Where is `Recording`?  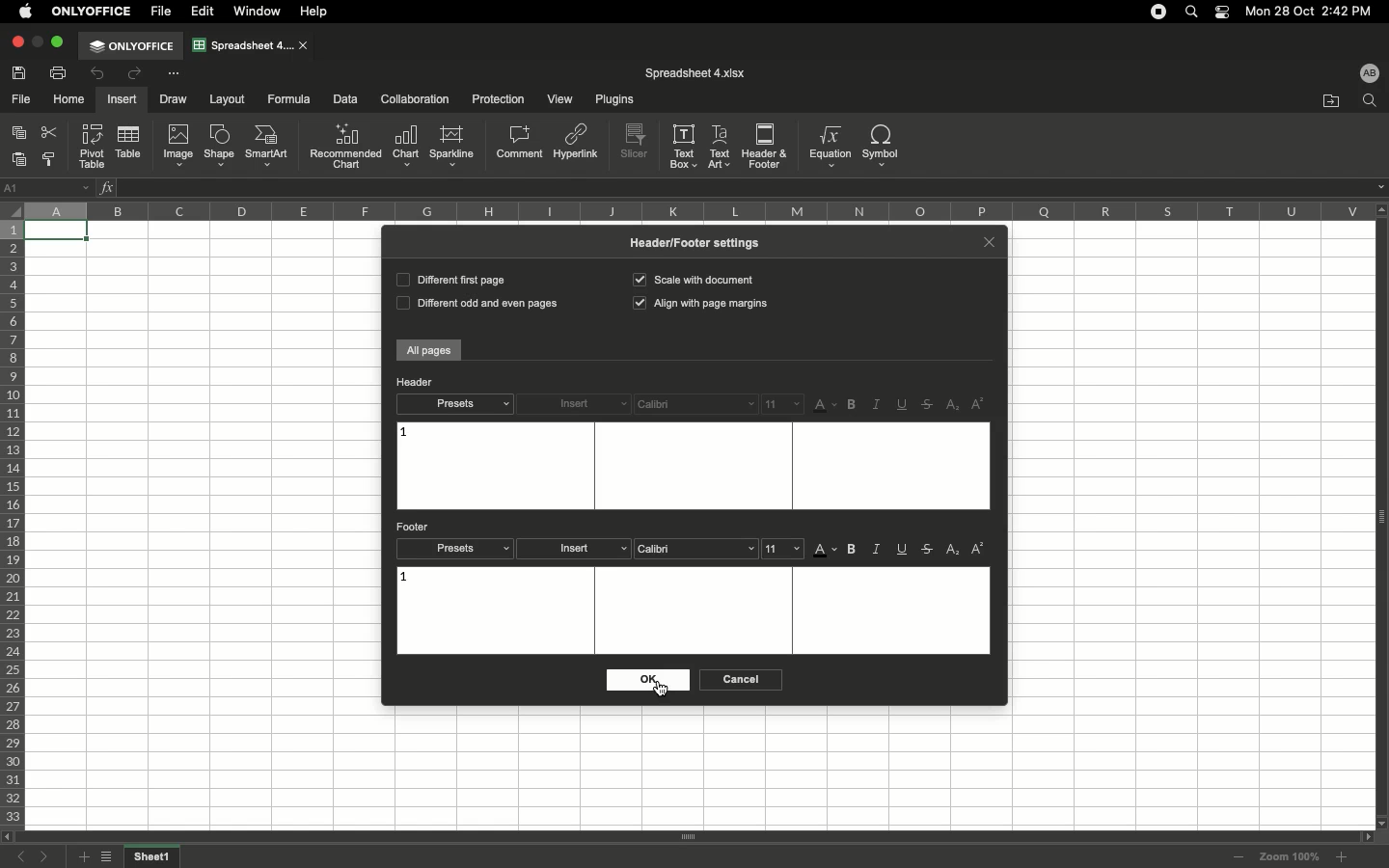
Recording is located at coordinates (1158, 12).